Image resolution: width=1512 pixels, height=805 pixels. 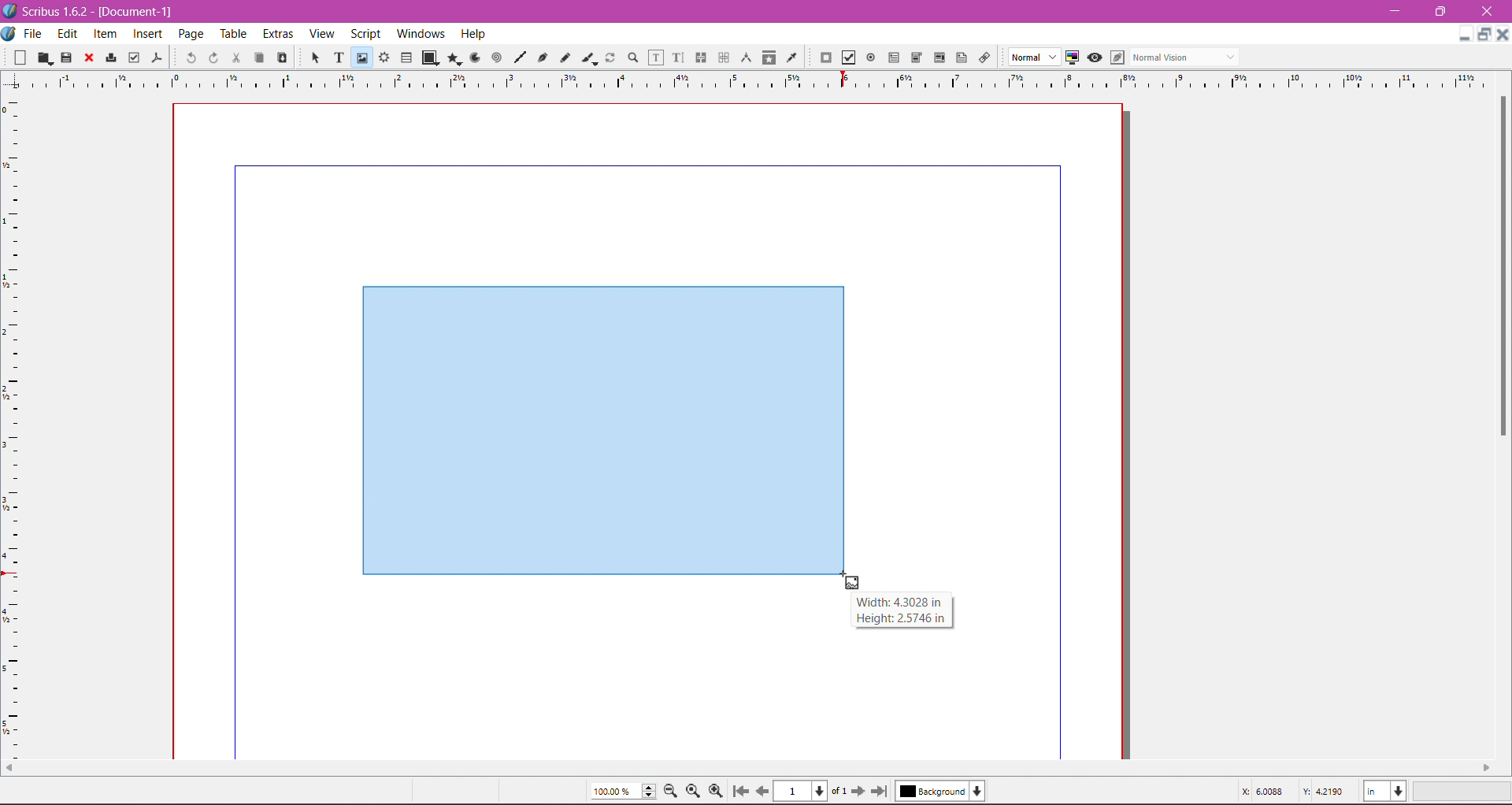 What do you see at coordinates (657, 57) in the screenshot?
I see `Edit Contents of Frames` at bounding box center [657, 57].